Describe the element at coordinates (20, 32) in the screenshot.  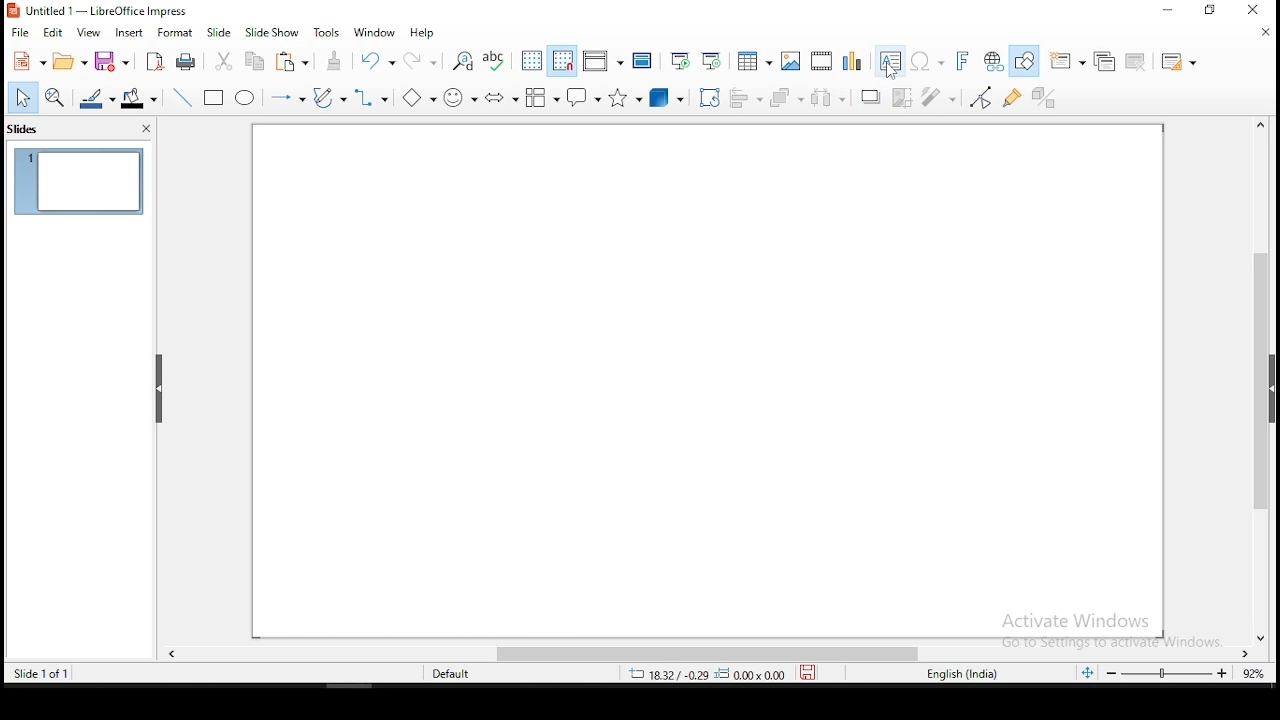
I see `file` at that location.